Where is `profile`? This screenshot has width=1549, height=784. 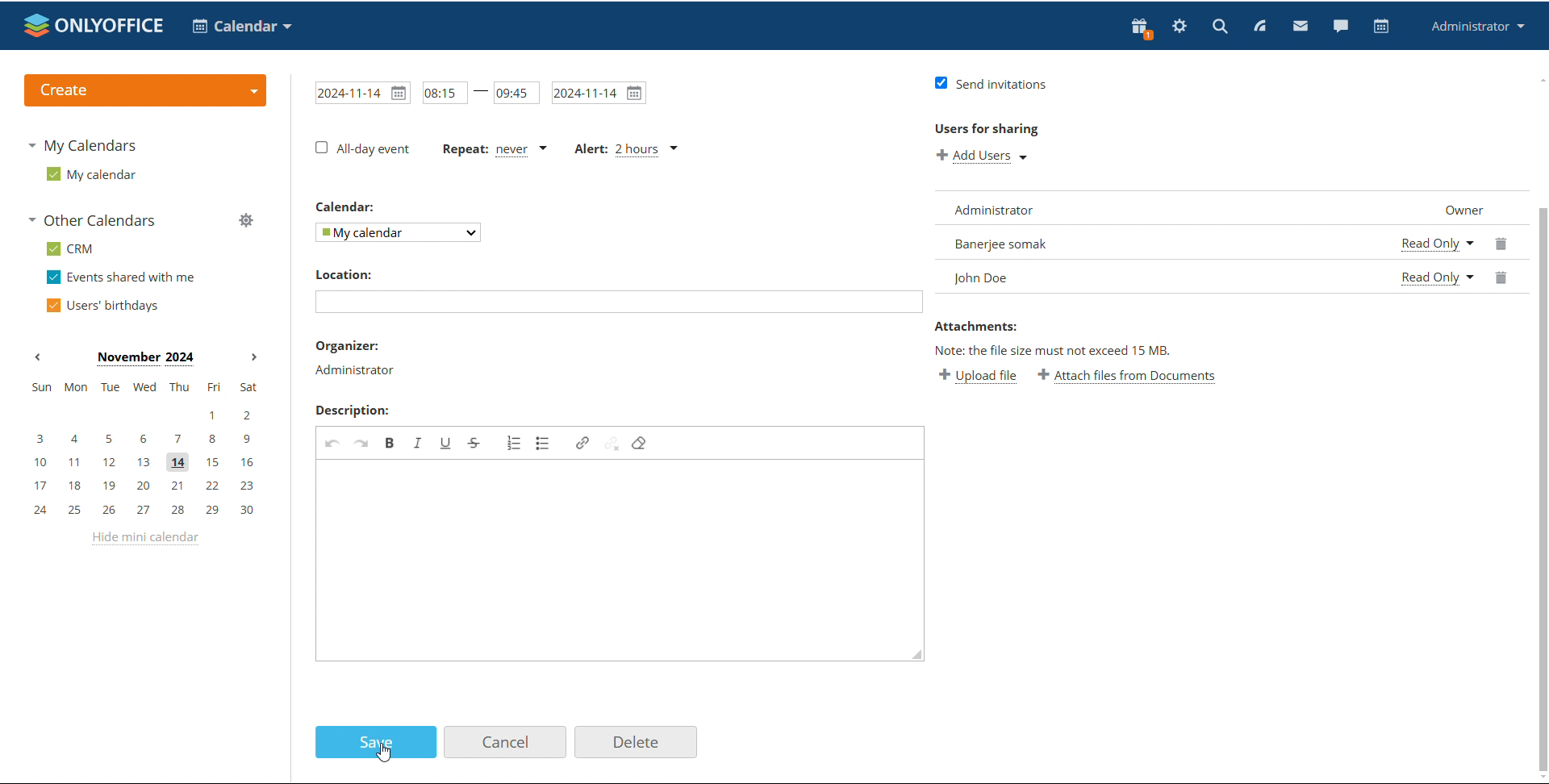
profile is located at coordinates (1475, 27).